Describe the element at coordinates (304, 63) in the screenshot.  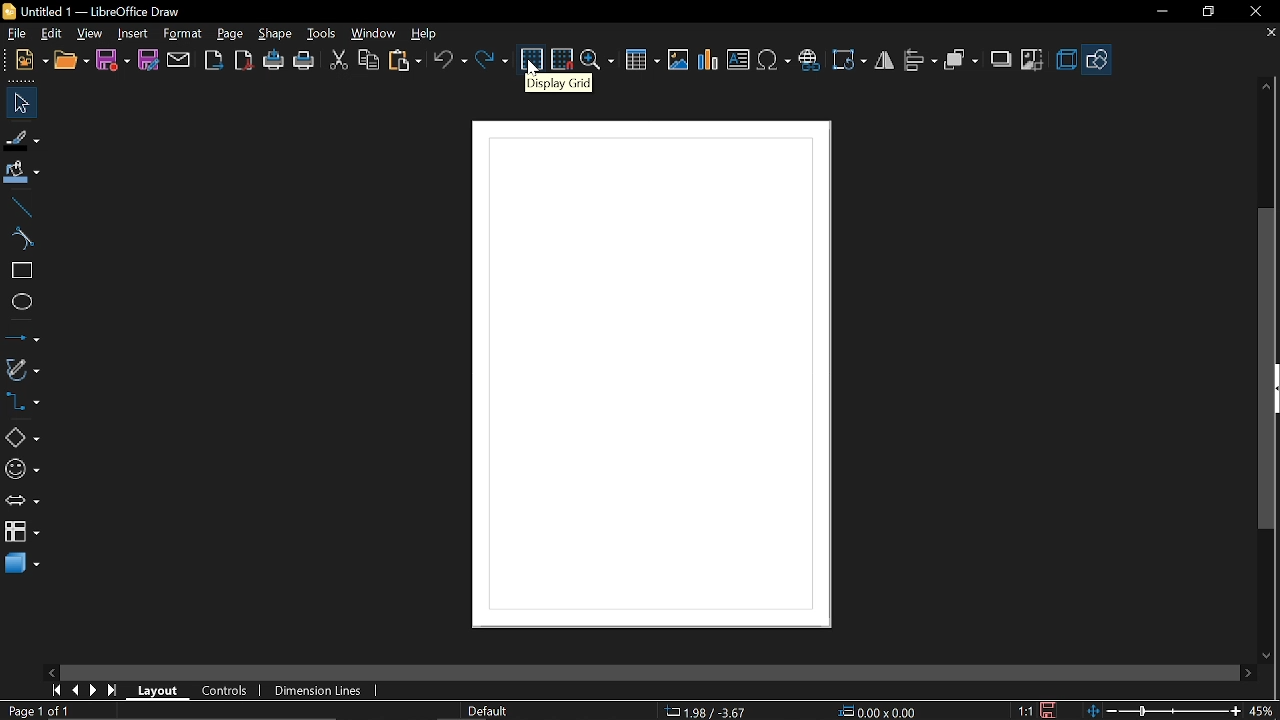
I see `Print` at that location.